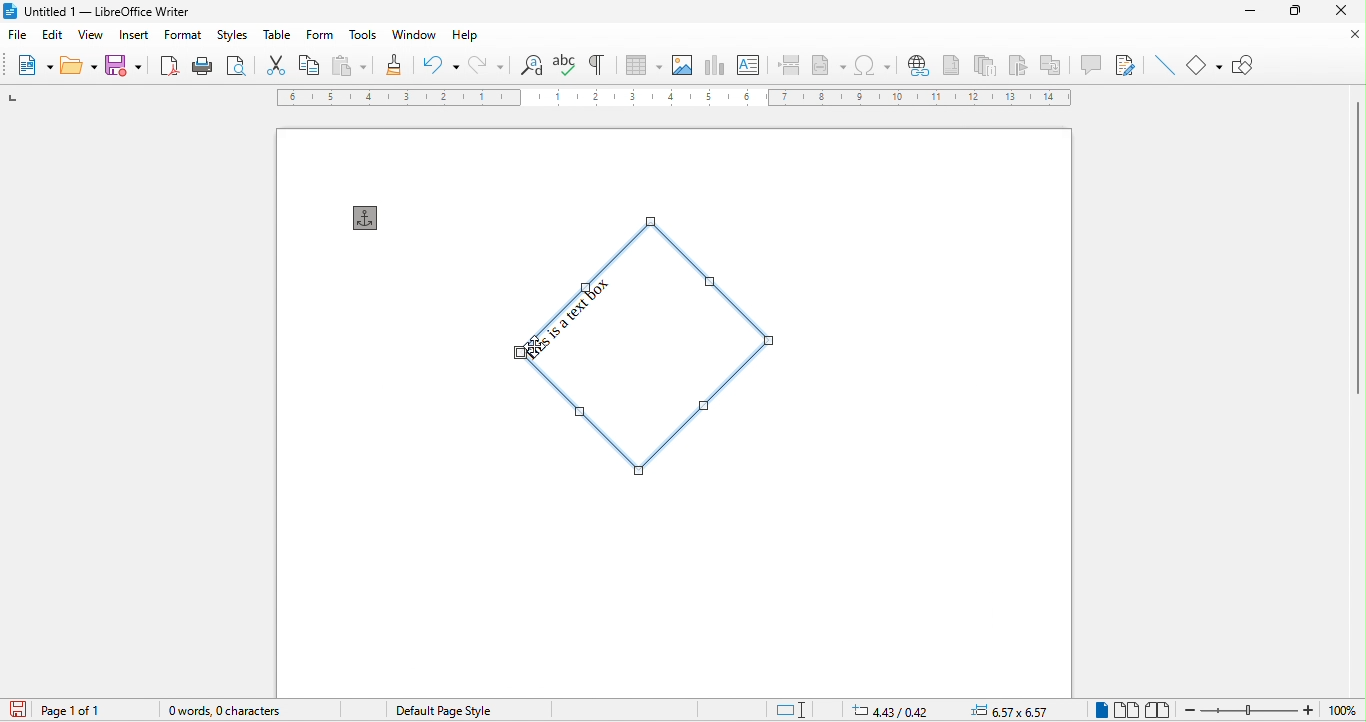 Image resolution: width=1366 pixels, height=722 pixels. What do you see at coordinates (463, 36) in the screenshot?
I see `help` at bounding box center [463, 36].